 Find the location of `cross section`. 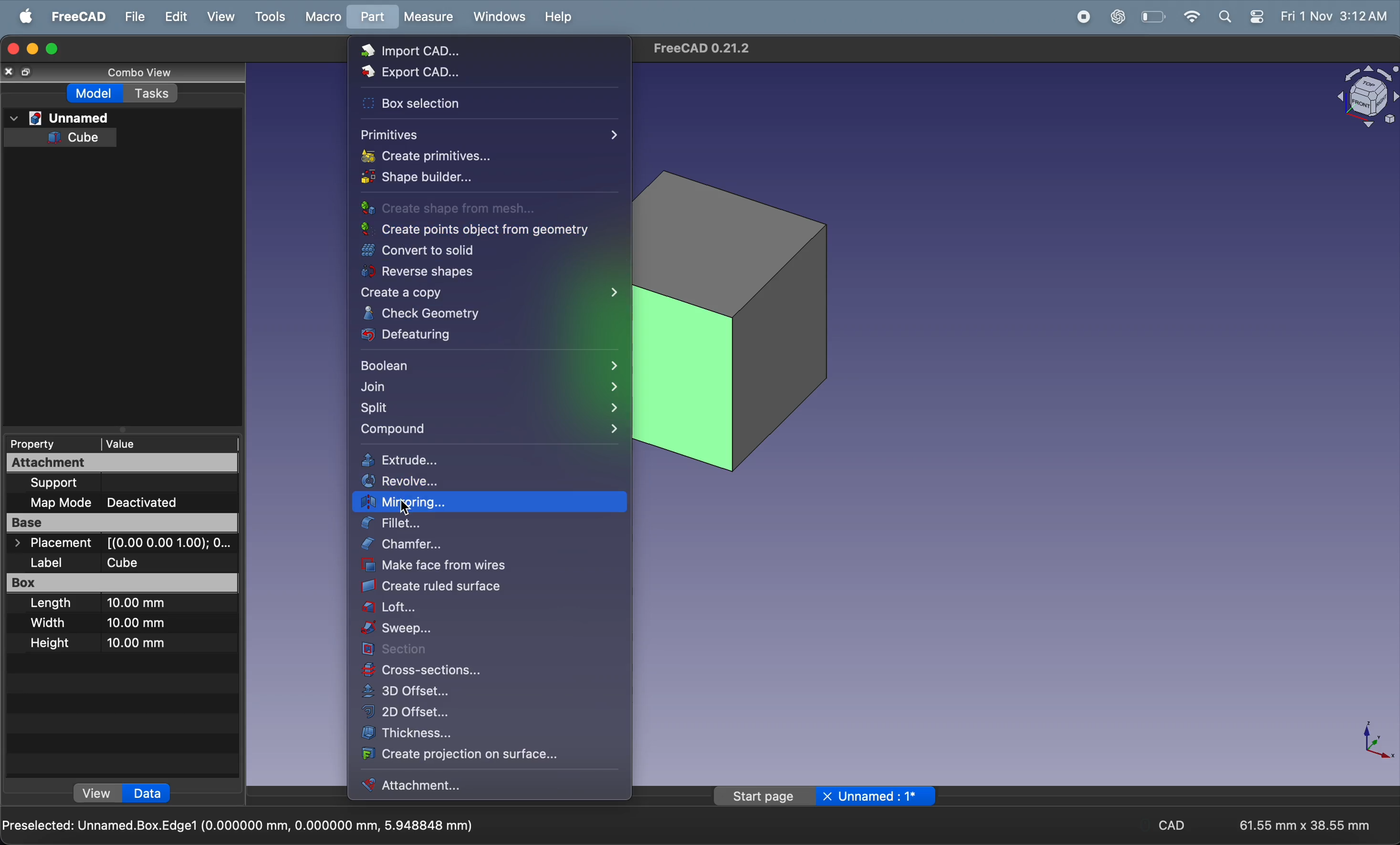

cross section is located at coordinates (474, 670).